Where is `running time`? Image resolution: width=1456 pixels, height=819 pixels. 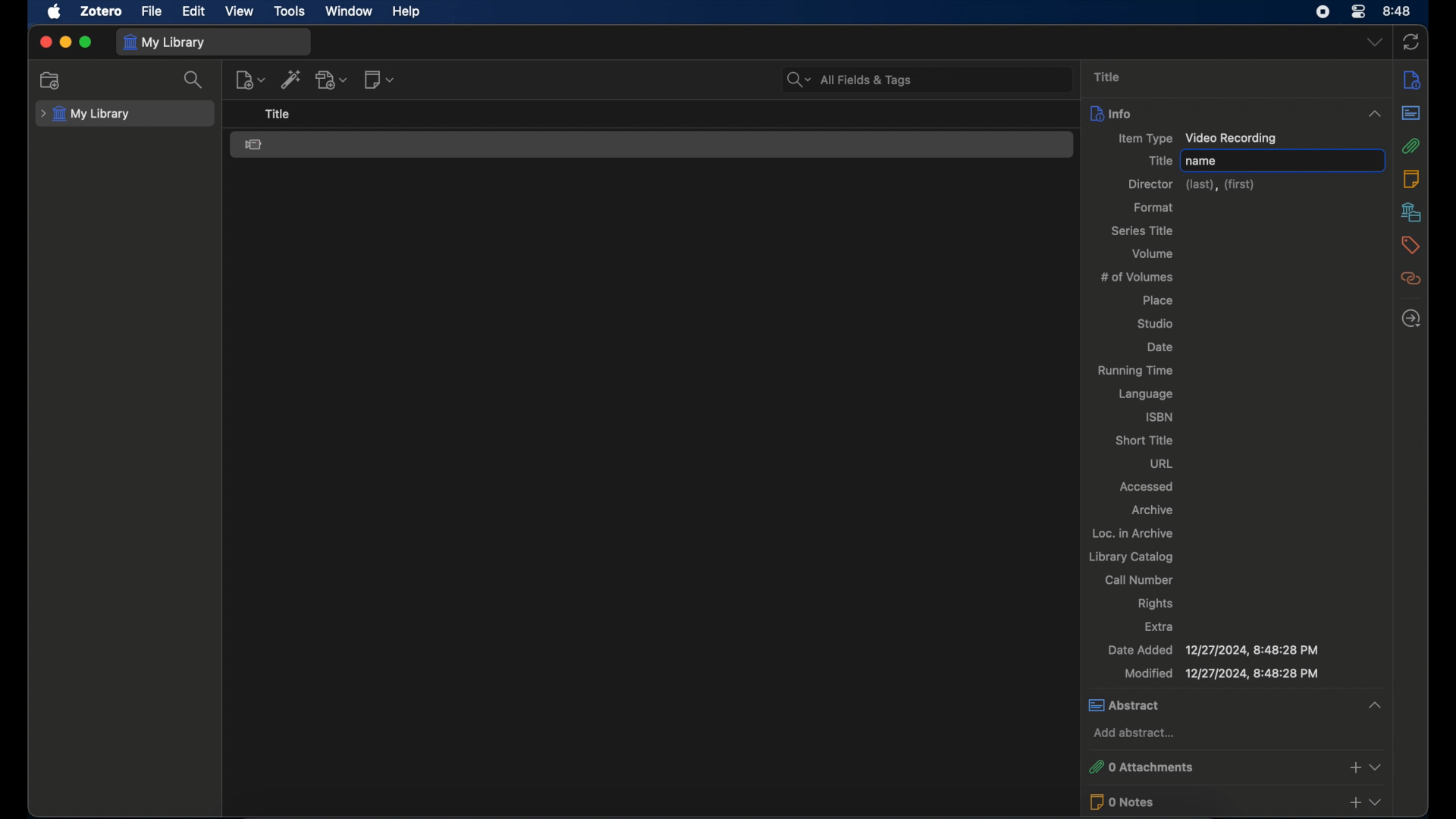
running time is located at coordinates (1134, 371).